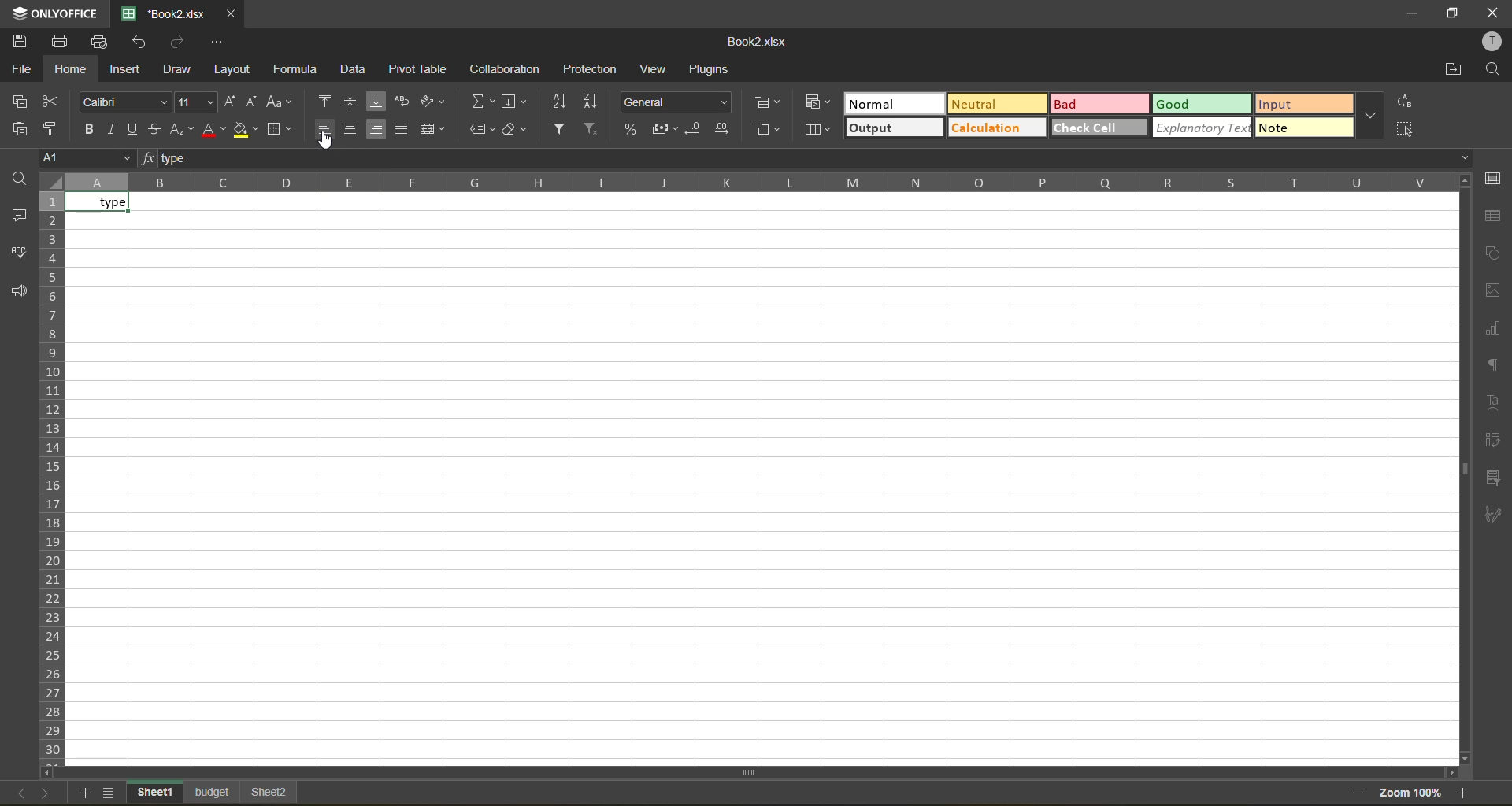 The image size is (1512, 806). Describe the element at coordinates (1495, 254) in the screenshot. I see `shapes` at that location.